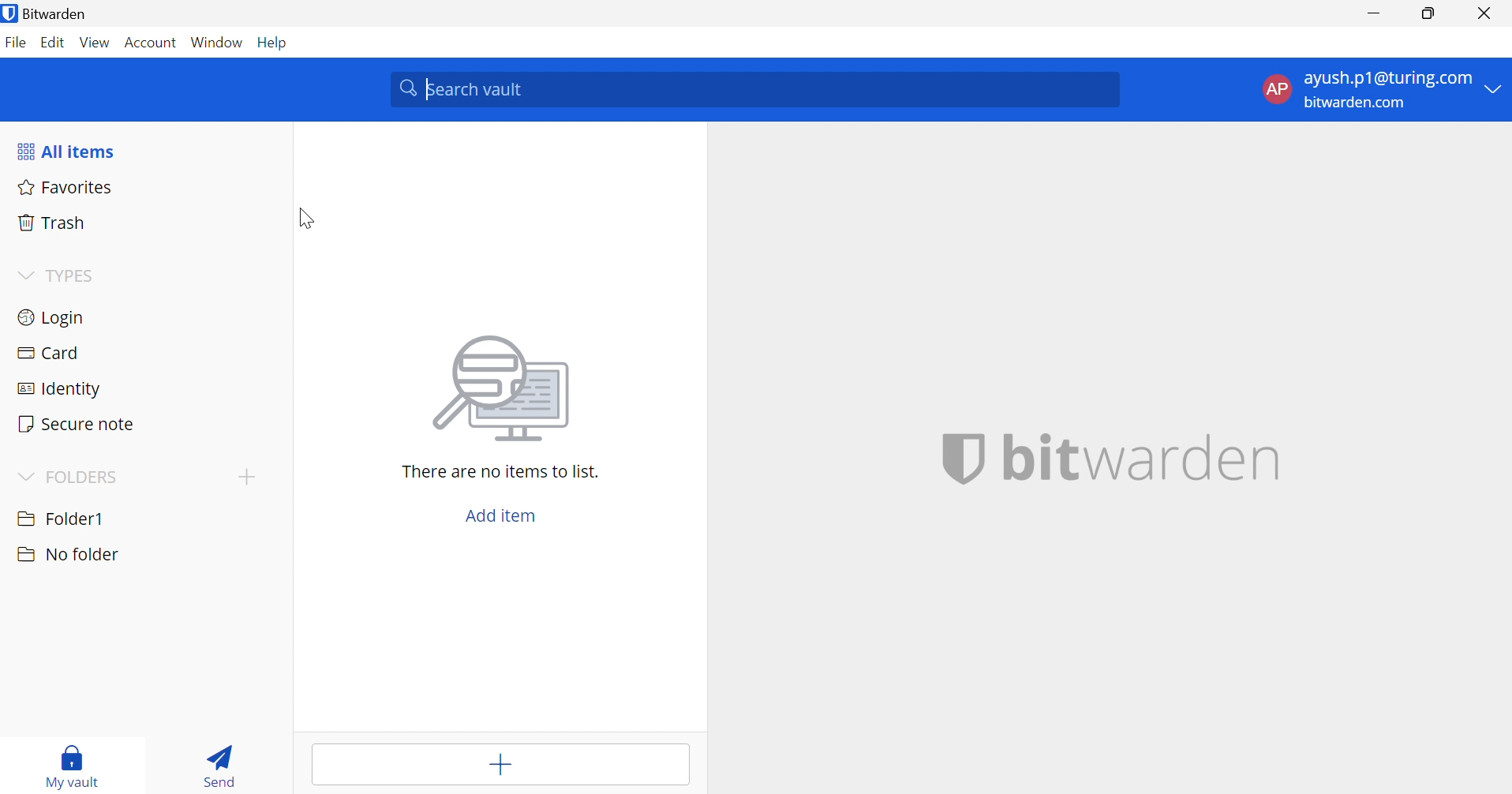  What do you see at coordinates (97, 41) in the screenshot?
I see `View` at bounding box center [97, 41].